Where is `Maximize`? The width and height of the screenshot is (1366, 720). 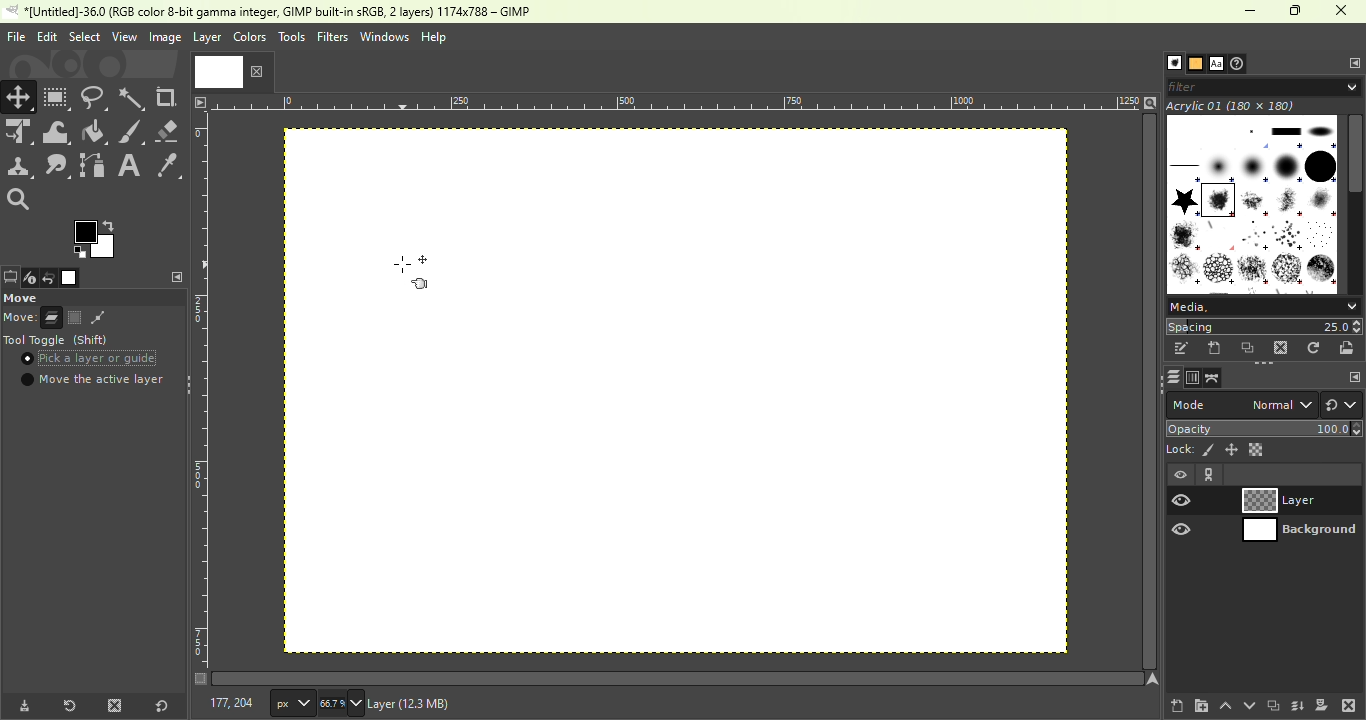
Maximize is located at coordinates (1298, 11).